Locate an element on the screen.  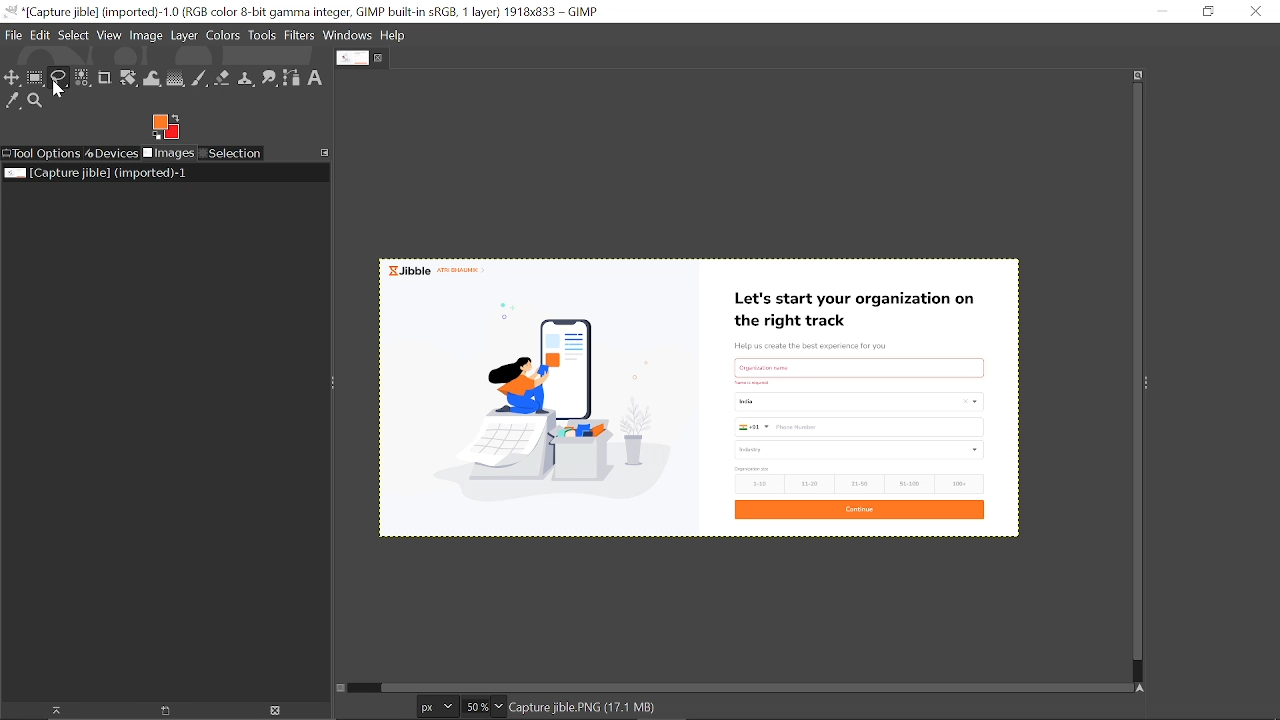
Current window is located at coordinates (304, 12).